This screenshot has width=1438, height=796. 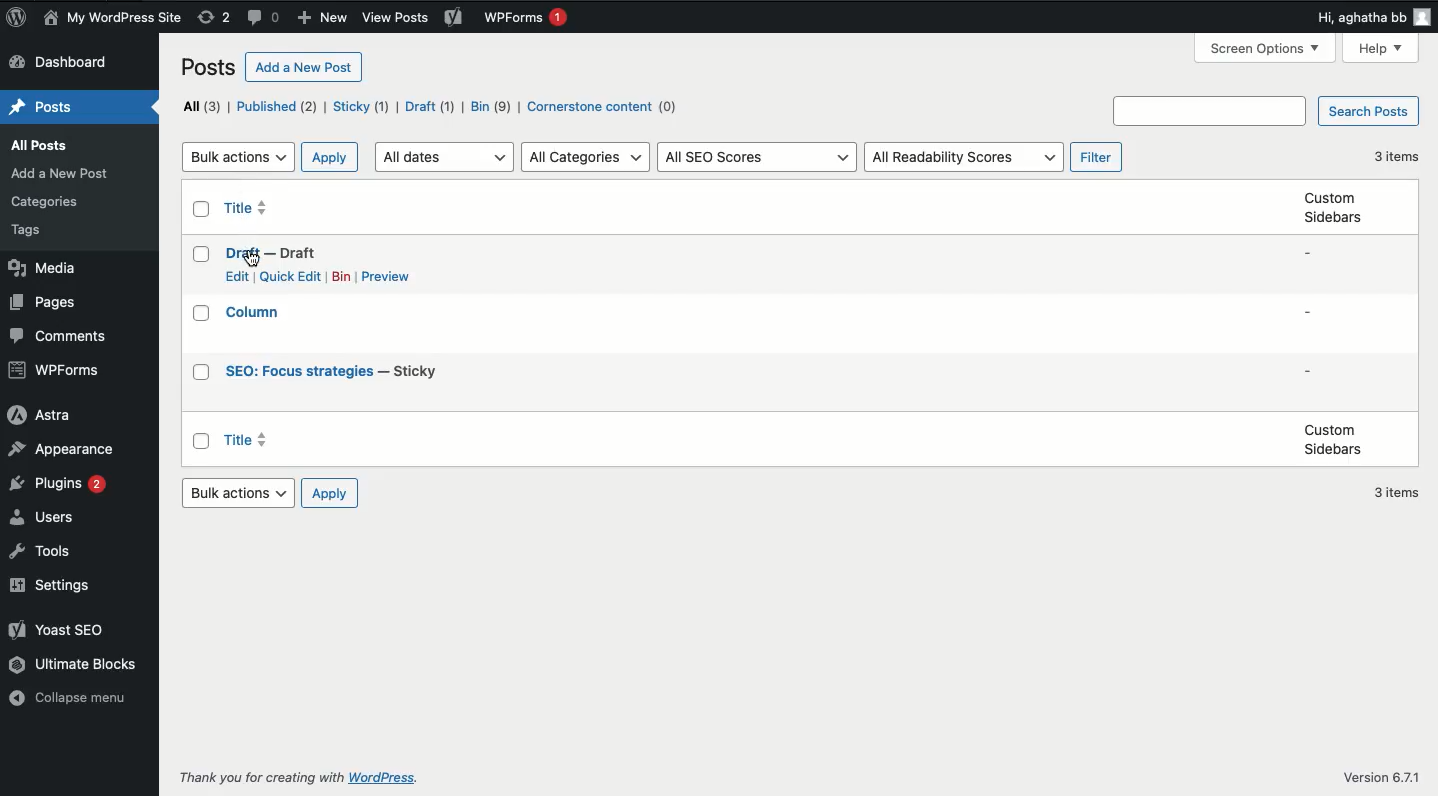 What do you see at coordinates (384, 778) in the screenshot?
I see `wordpress` at bounding box center [384, 778].